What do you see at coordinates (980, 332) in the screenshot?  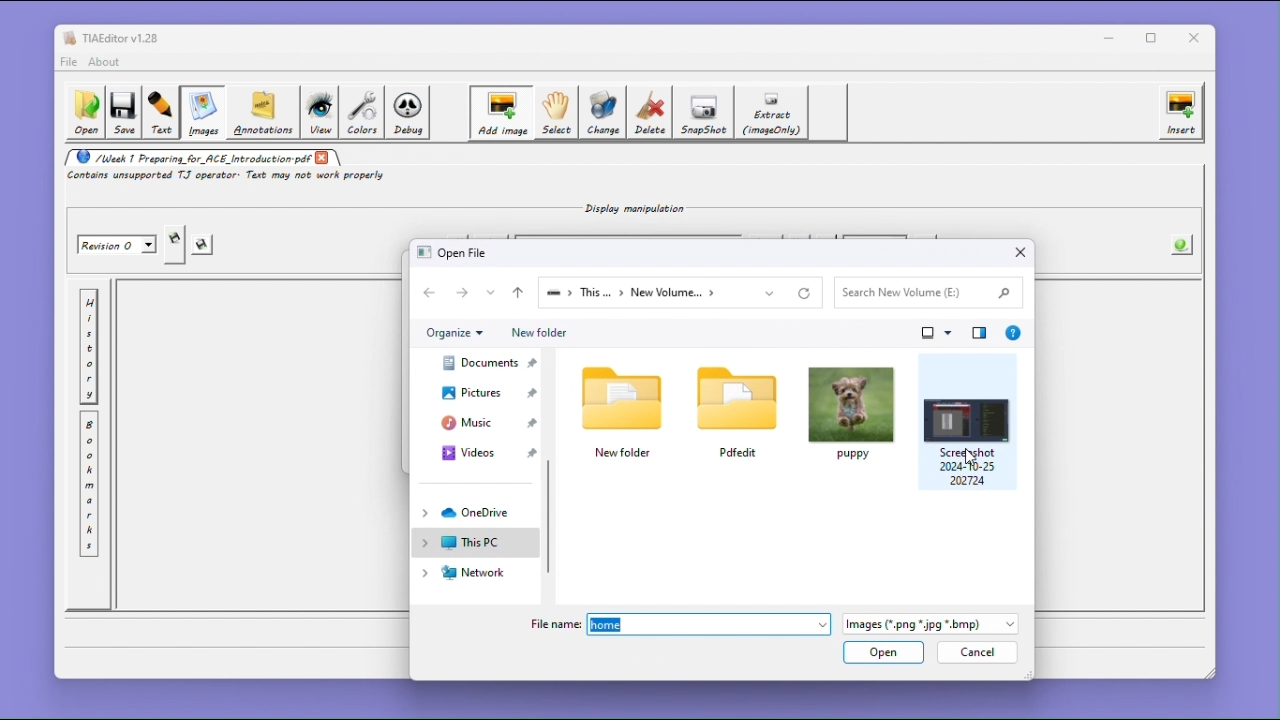 I see `show preview pane` at bounding box center [980, 332].